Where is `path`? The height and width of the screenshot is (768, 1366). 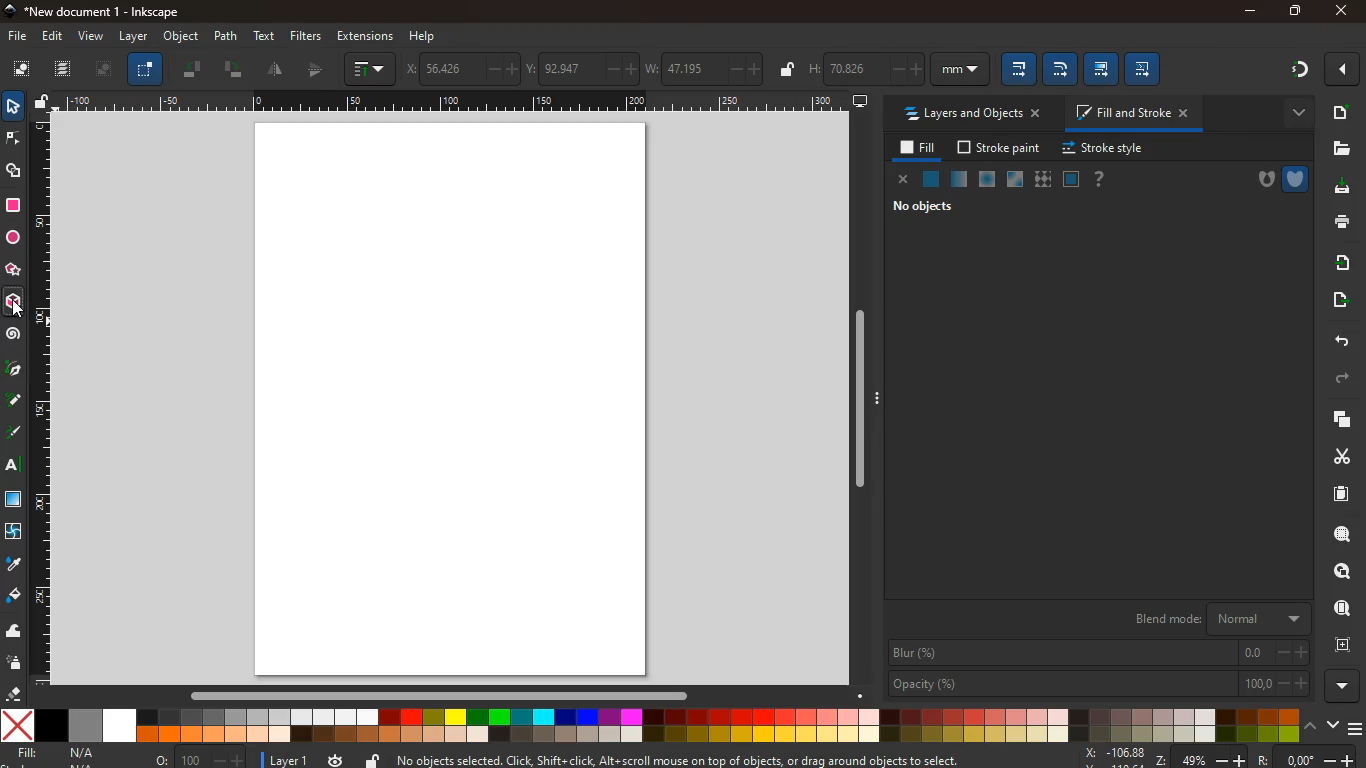
path is located at coordinates (226, 35).